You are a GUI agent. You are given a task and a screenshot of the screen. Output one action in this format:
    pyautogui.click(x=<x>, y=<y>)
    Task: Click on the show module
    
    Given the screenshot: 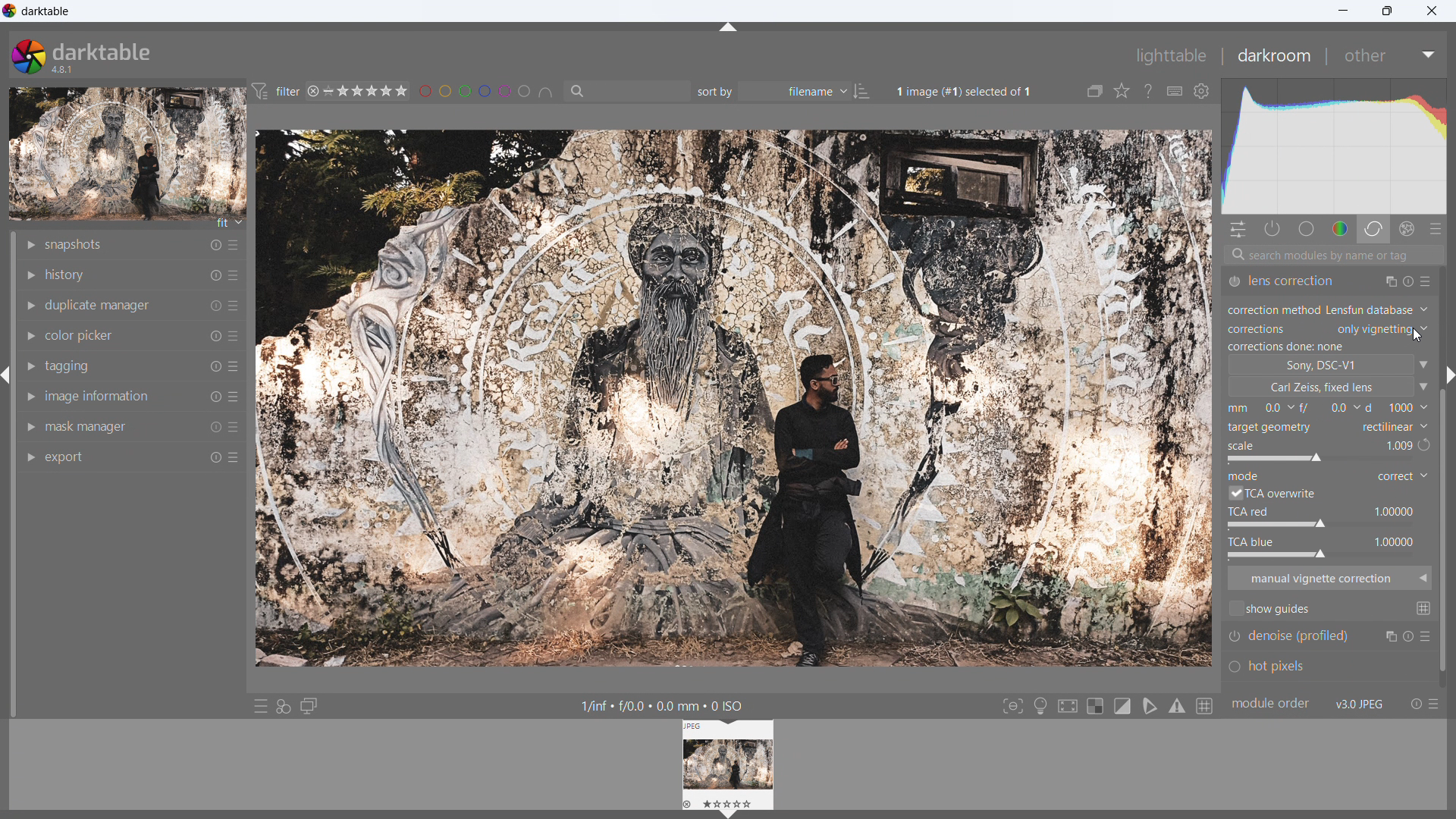 What is the action you would take?
    pyautogui.click(x=33, y=396)
    